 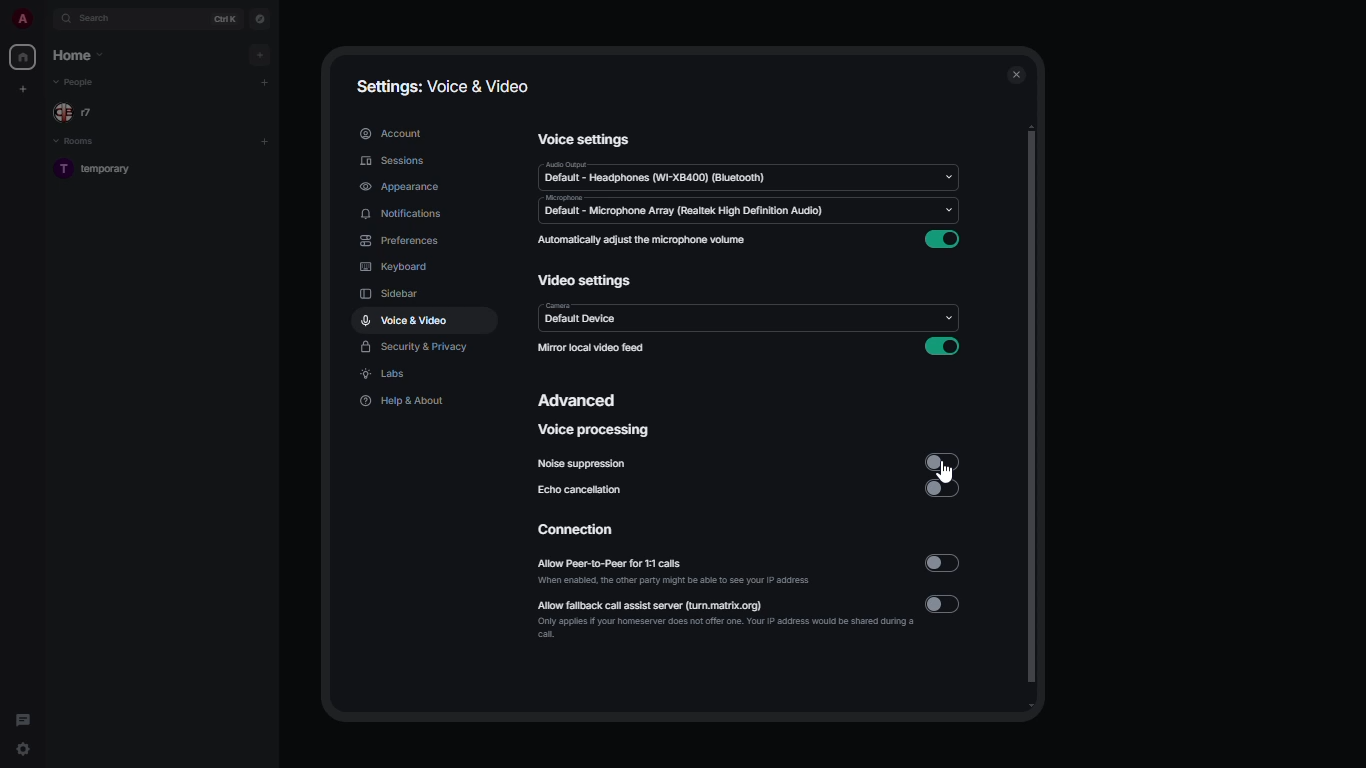 I want to click on add, so click(x=261, y=54).